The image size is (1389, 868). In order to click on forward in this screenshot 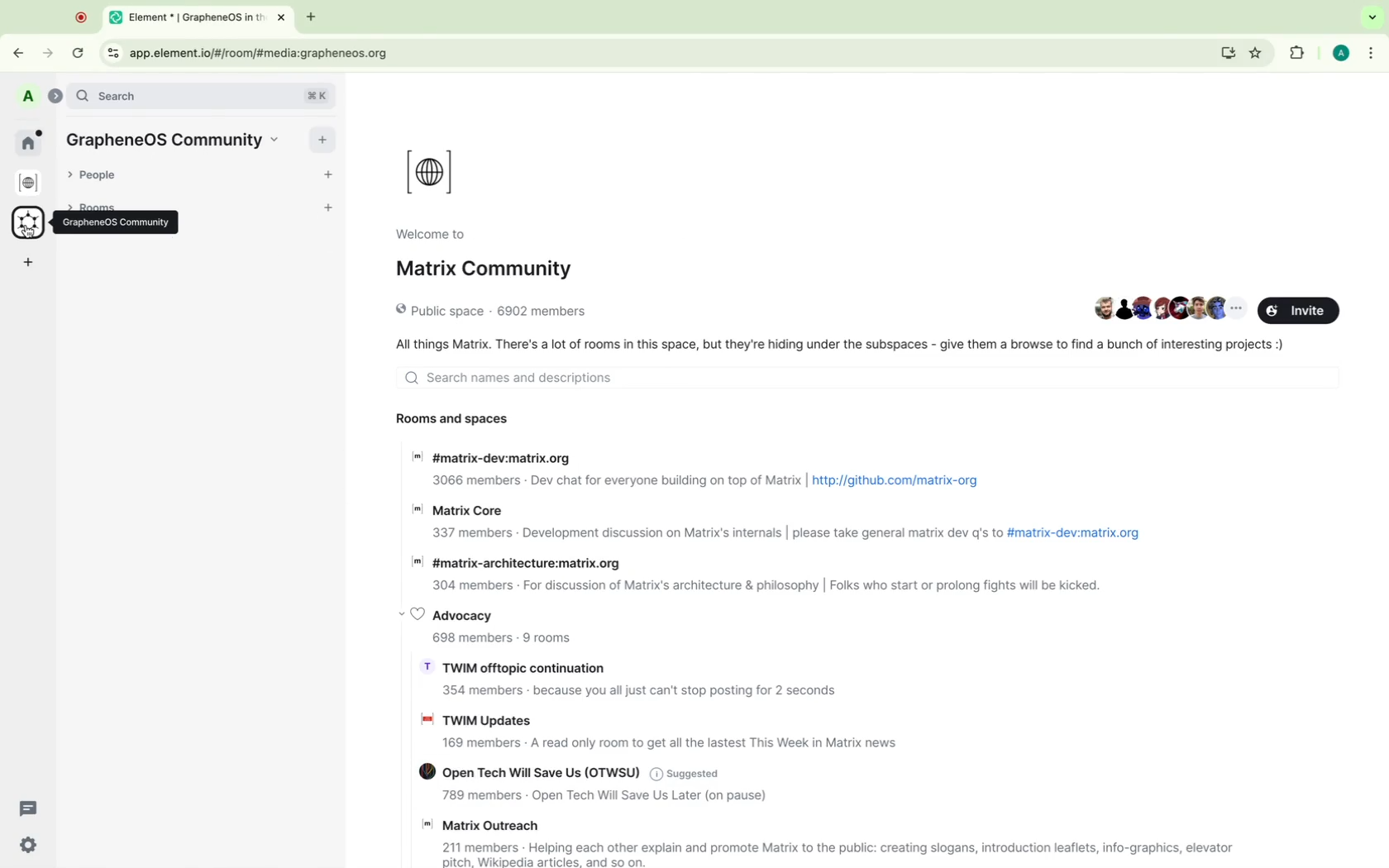, I will do `click(50, 53)`.